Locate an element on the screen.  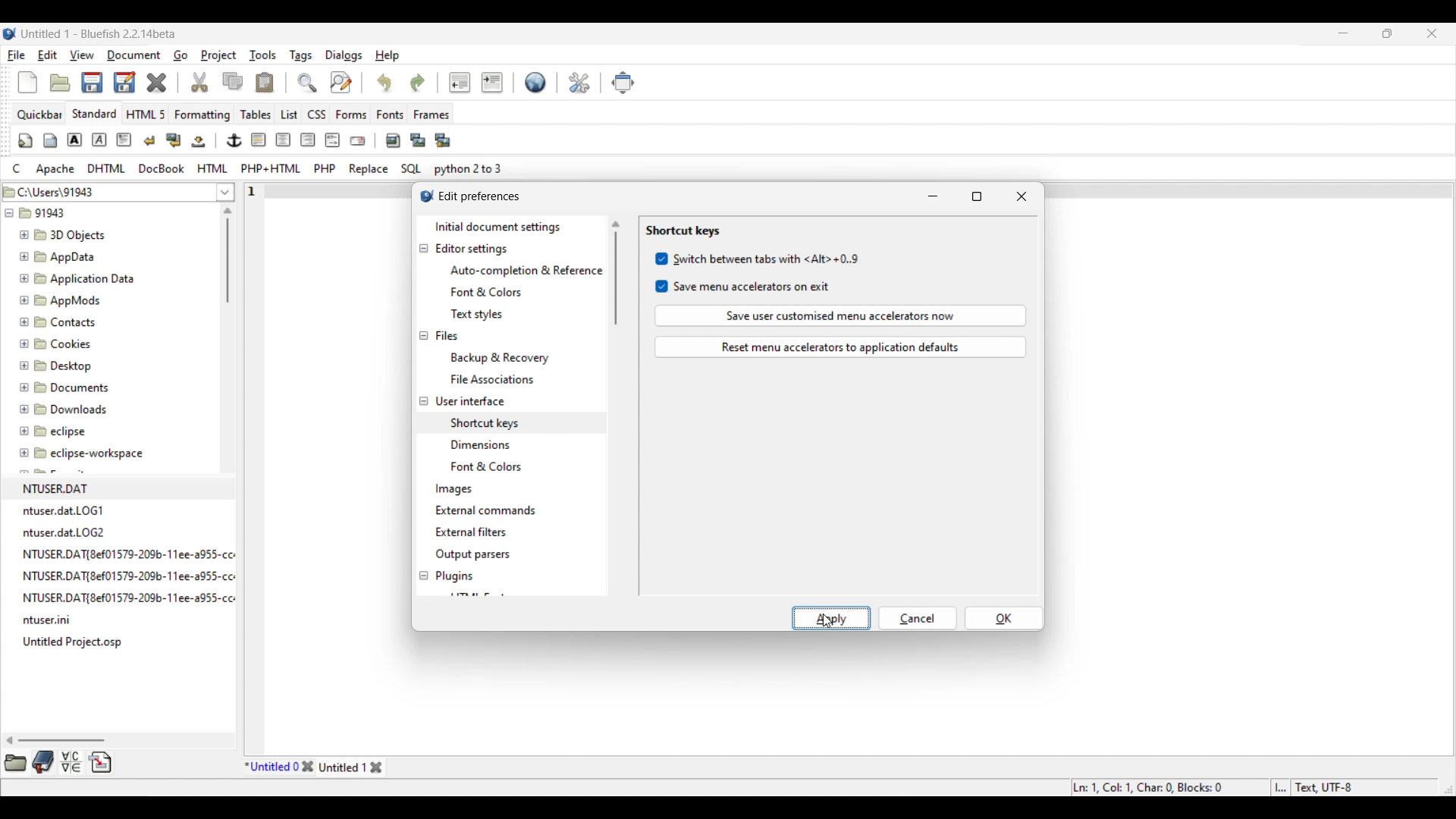
Document menu is located at coordinates (134, 55).